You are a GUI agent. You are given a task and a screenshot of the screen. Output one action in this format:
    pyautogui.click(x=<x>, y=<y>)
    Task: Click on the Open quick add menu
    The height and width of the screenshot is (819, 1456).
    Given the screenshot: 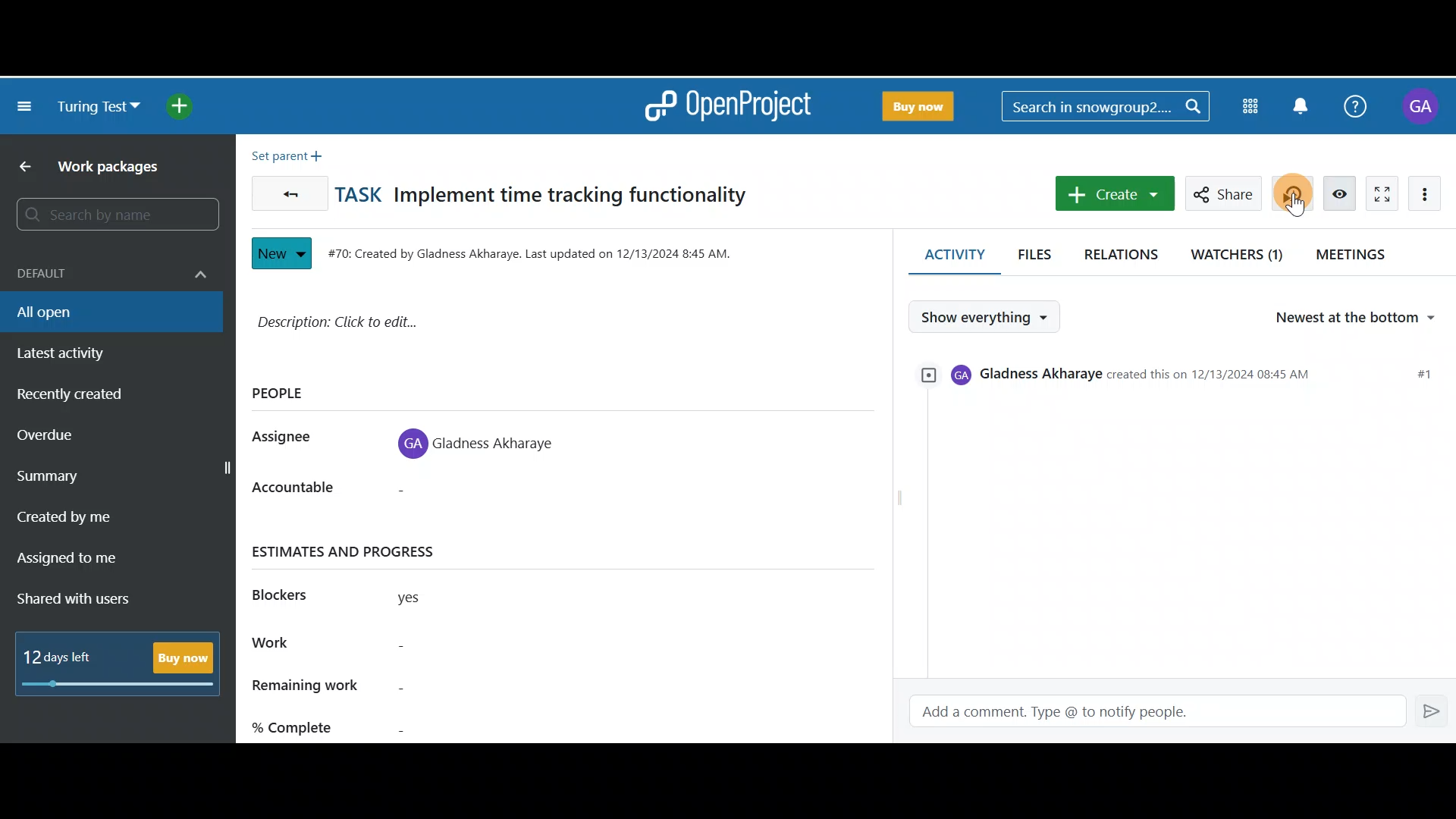 What is the action you would take?
    pyautogui.click(x=187, y=106)
    